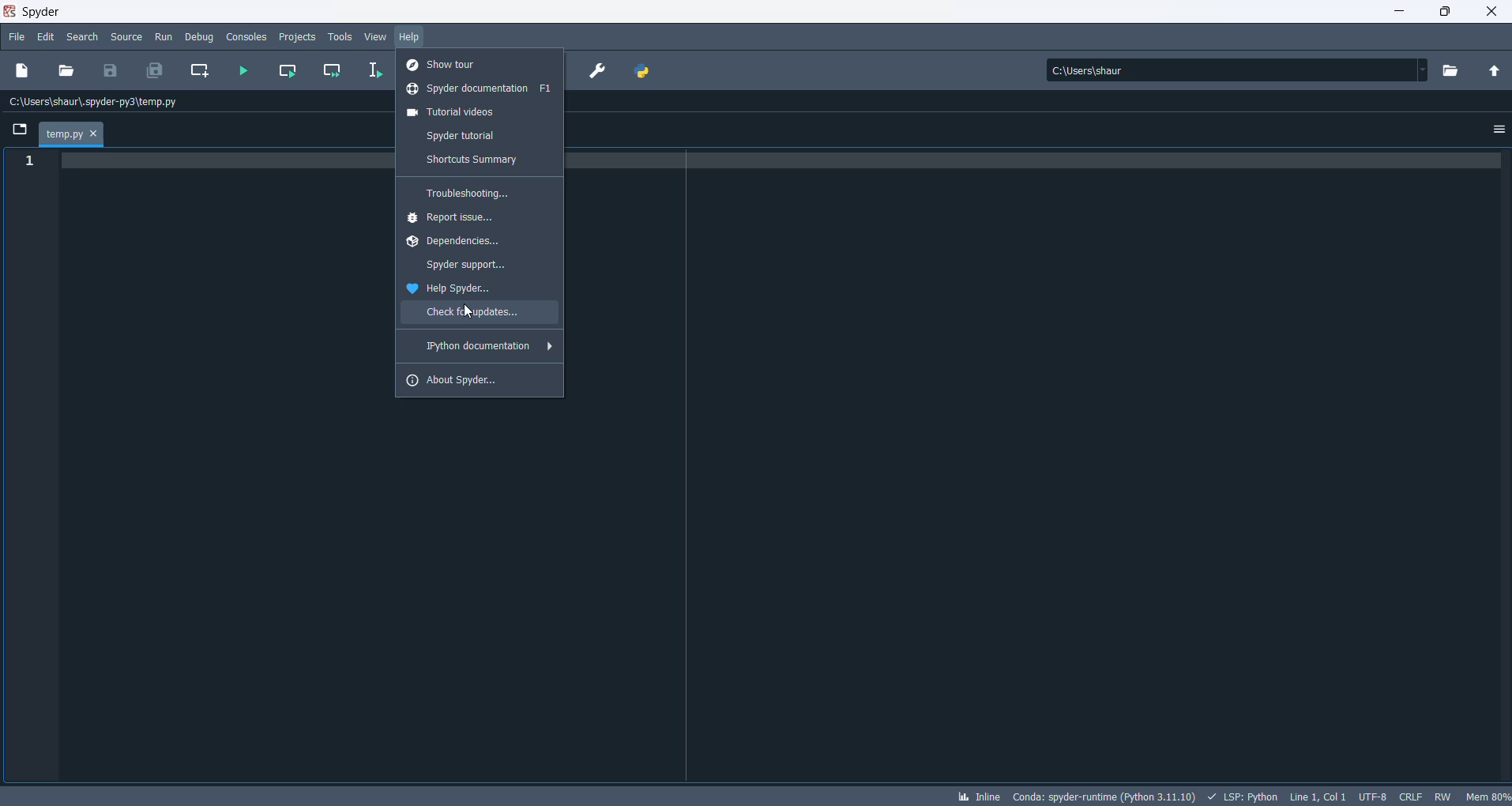 This screenshot has width=1512, height=806. Describe the element at coordinates (21, 128) in the screenshot. I see `browse tabs` at that location.